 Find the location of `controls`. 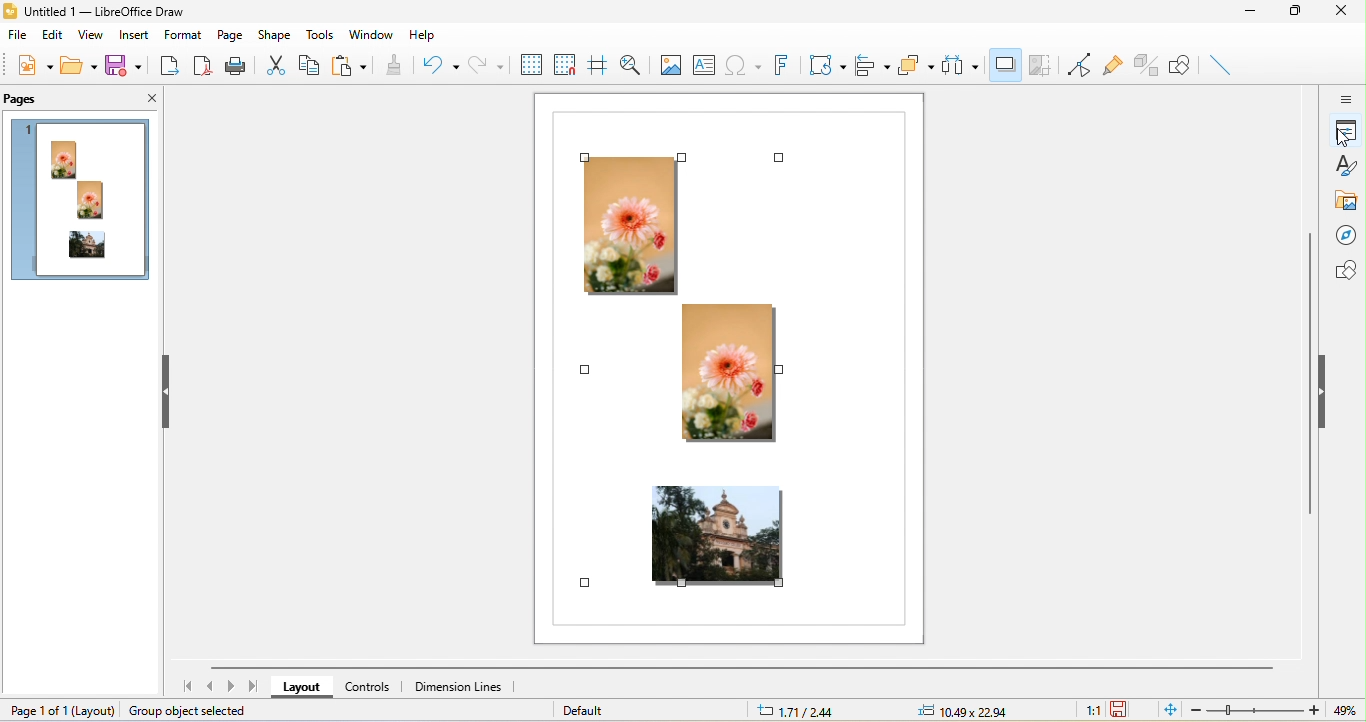

controls is located at coordinates (374, 690).